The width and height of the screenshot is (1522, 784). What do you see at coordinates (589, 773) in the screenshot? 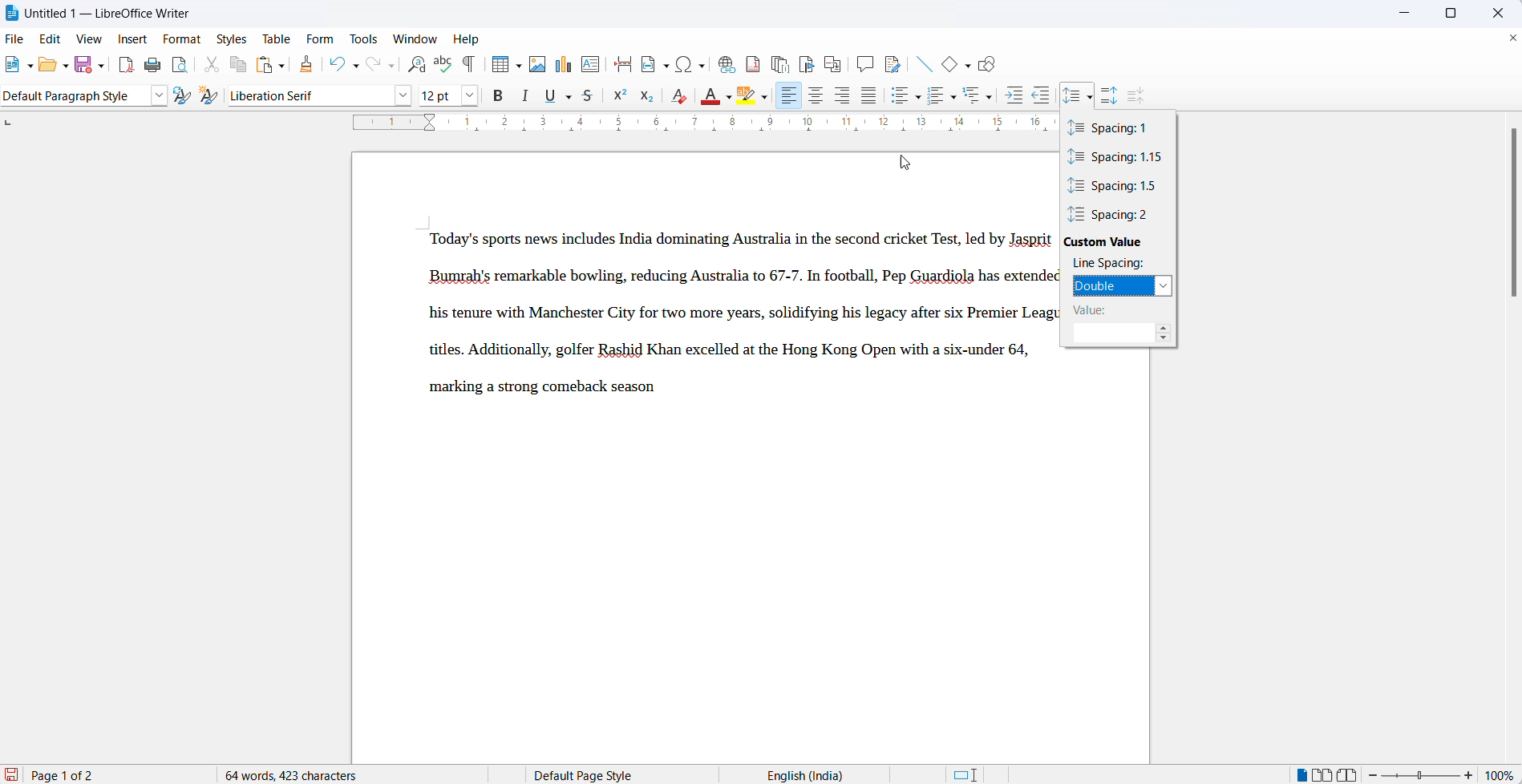
I see `page style` at bounding box center [589, 773].